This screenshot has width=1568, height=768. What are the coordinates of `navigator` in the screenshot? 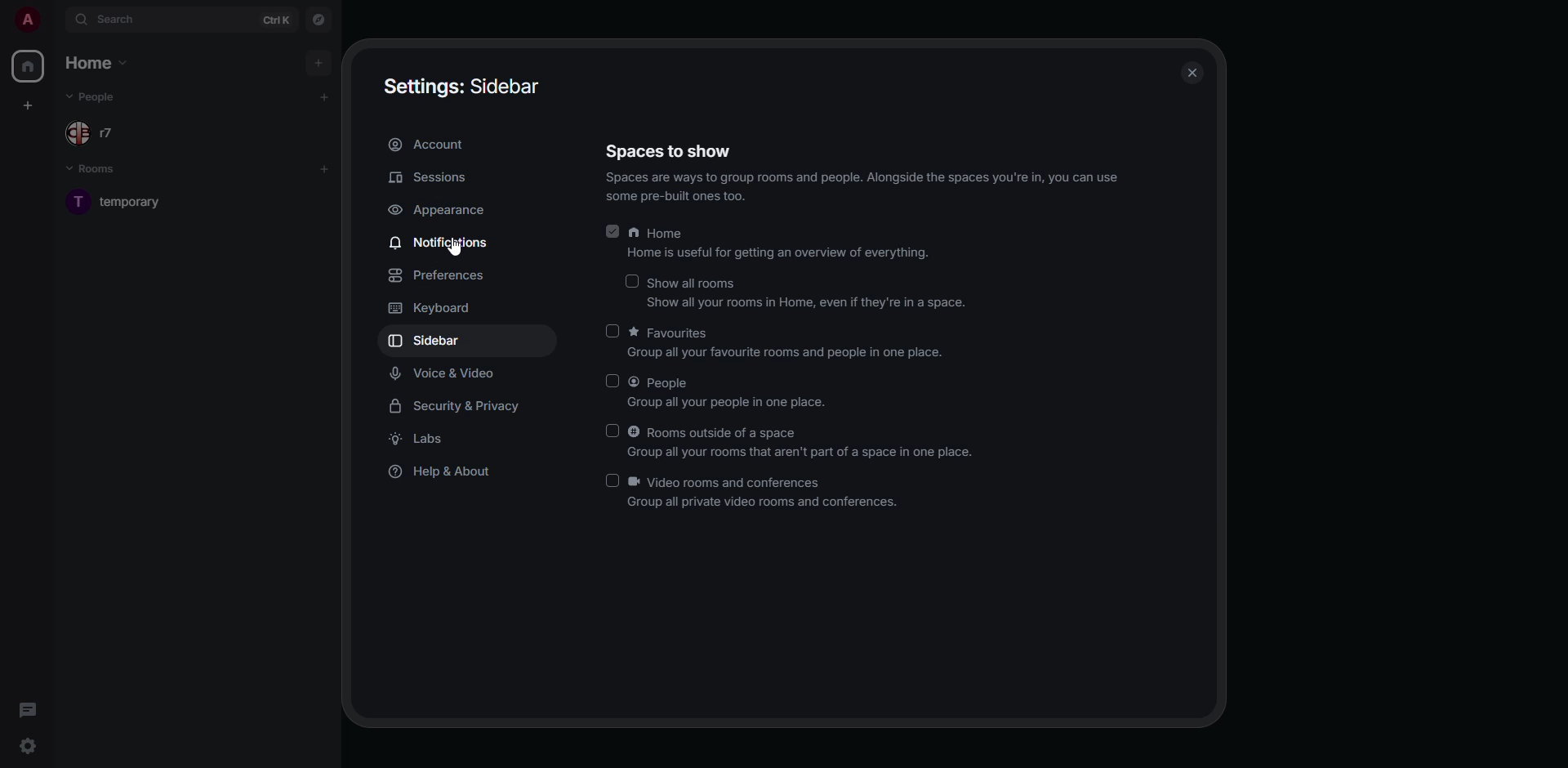 It's located at (320, 20).